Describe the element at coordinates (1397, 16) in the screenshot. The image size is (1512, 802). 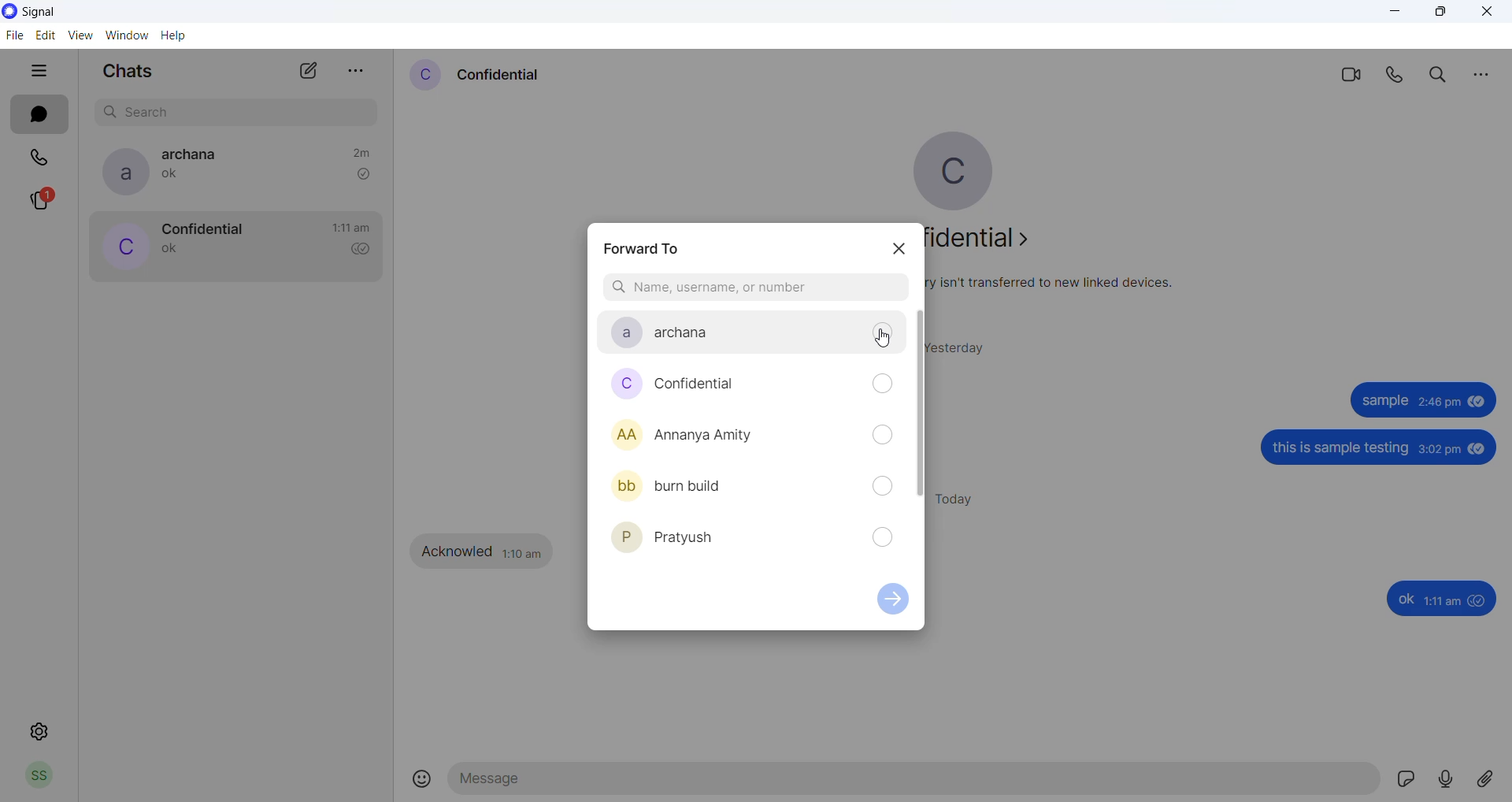
I see `minimize` at that location.